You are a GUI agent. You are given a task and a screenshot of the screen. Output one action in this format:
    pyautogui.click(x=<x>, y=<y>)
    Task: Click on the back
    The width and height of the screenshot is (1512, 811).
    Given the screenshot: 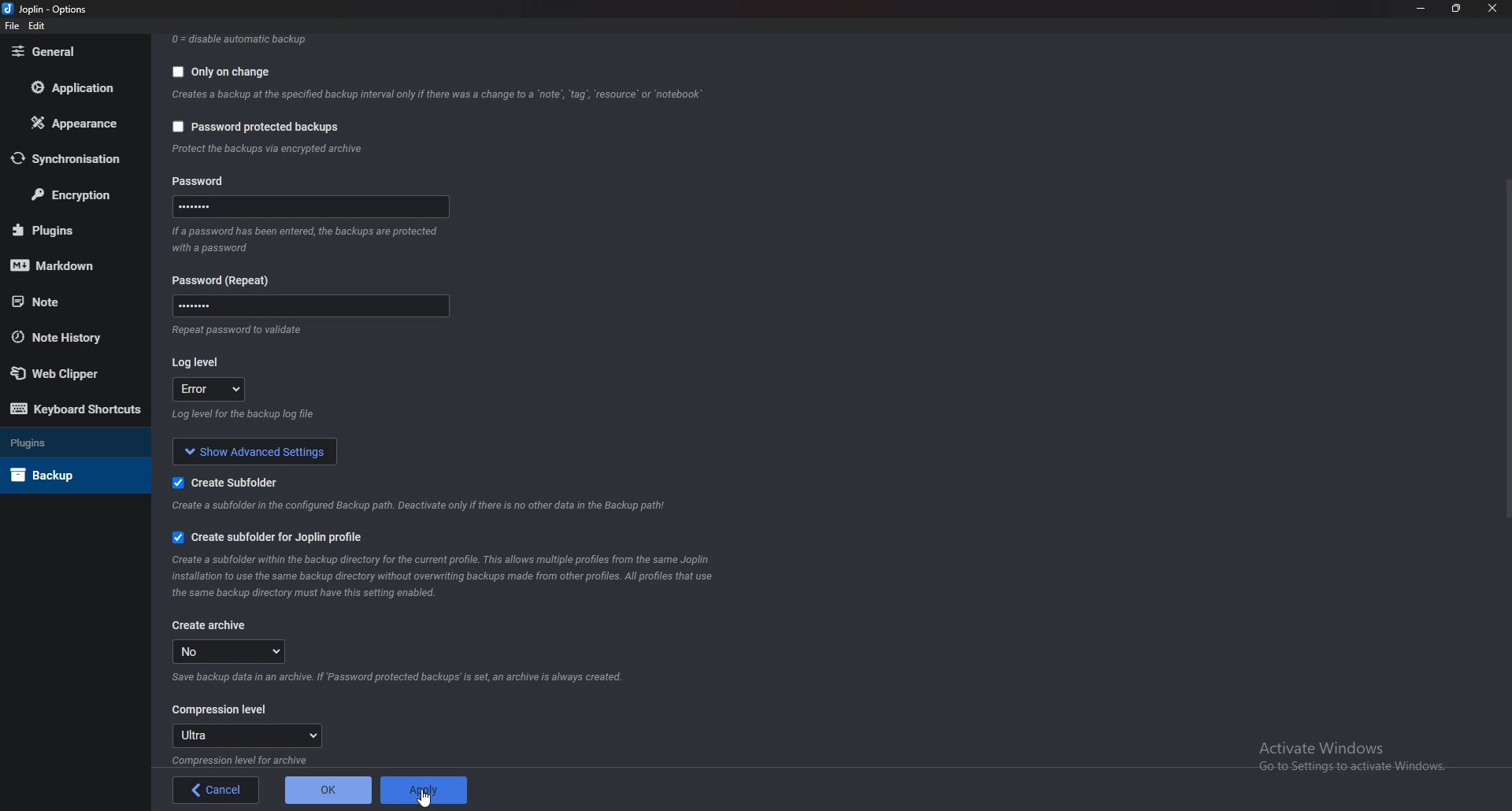 What is the action you would take?
    pyautogui.click(x=216, y=791)
    